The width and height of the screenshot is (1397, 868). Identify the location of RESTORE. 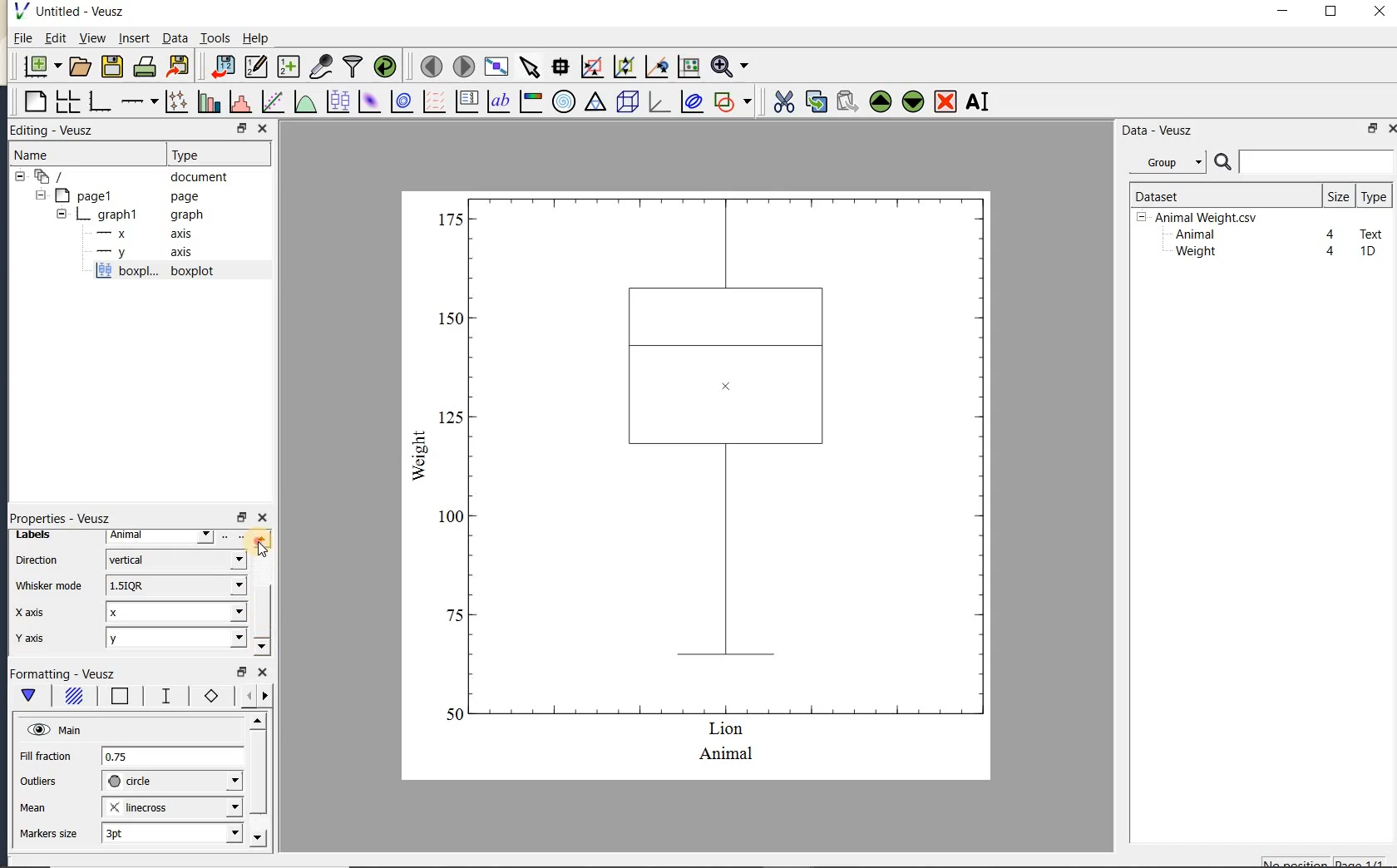
(239, 126).